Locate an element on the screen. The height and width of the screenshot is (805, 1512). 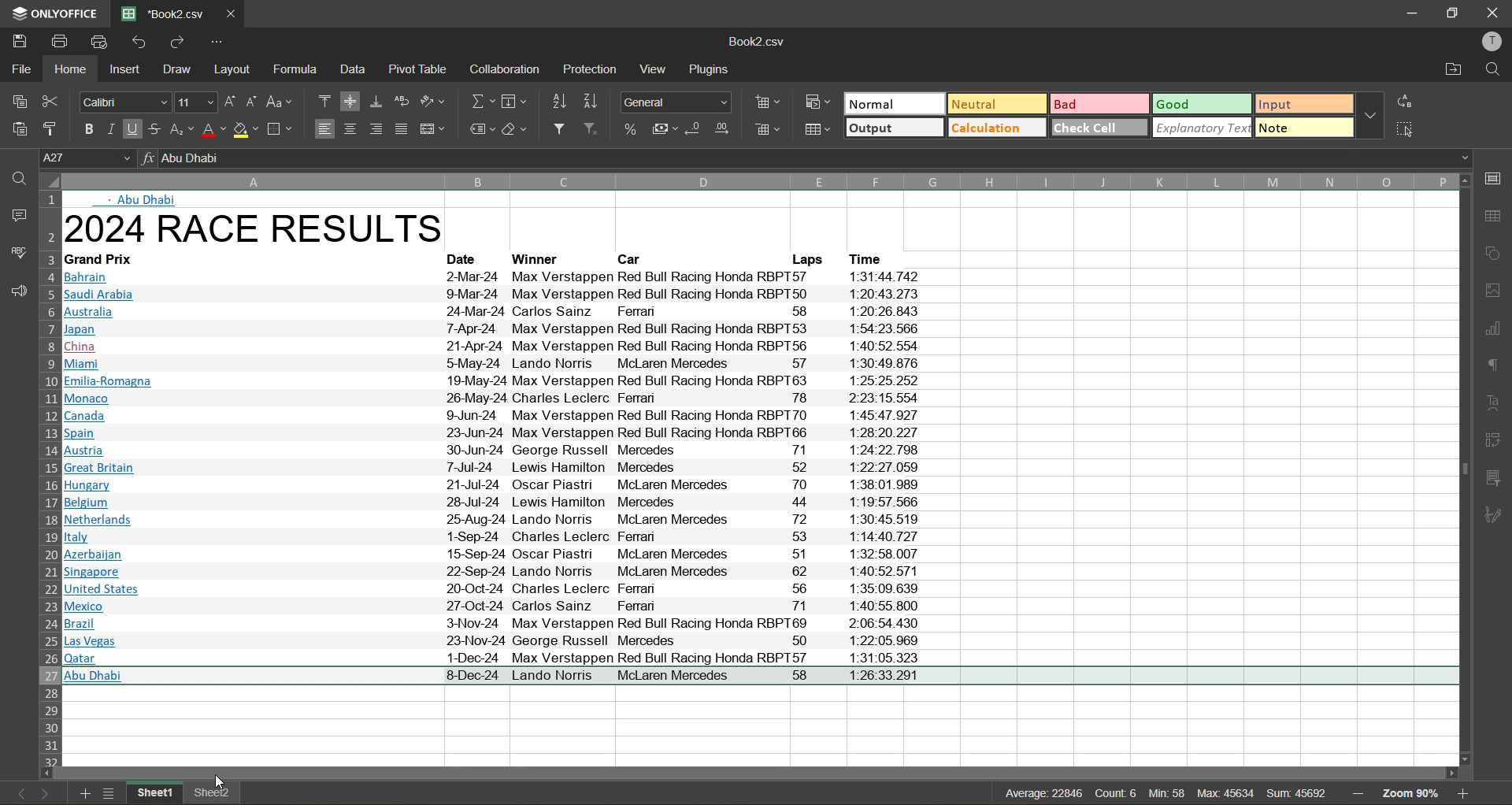
formula is located at coordinates (302, 70).